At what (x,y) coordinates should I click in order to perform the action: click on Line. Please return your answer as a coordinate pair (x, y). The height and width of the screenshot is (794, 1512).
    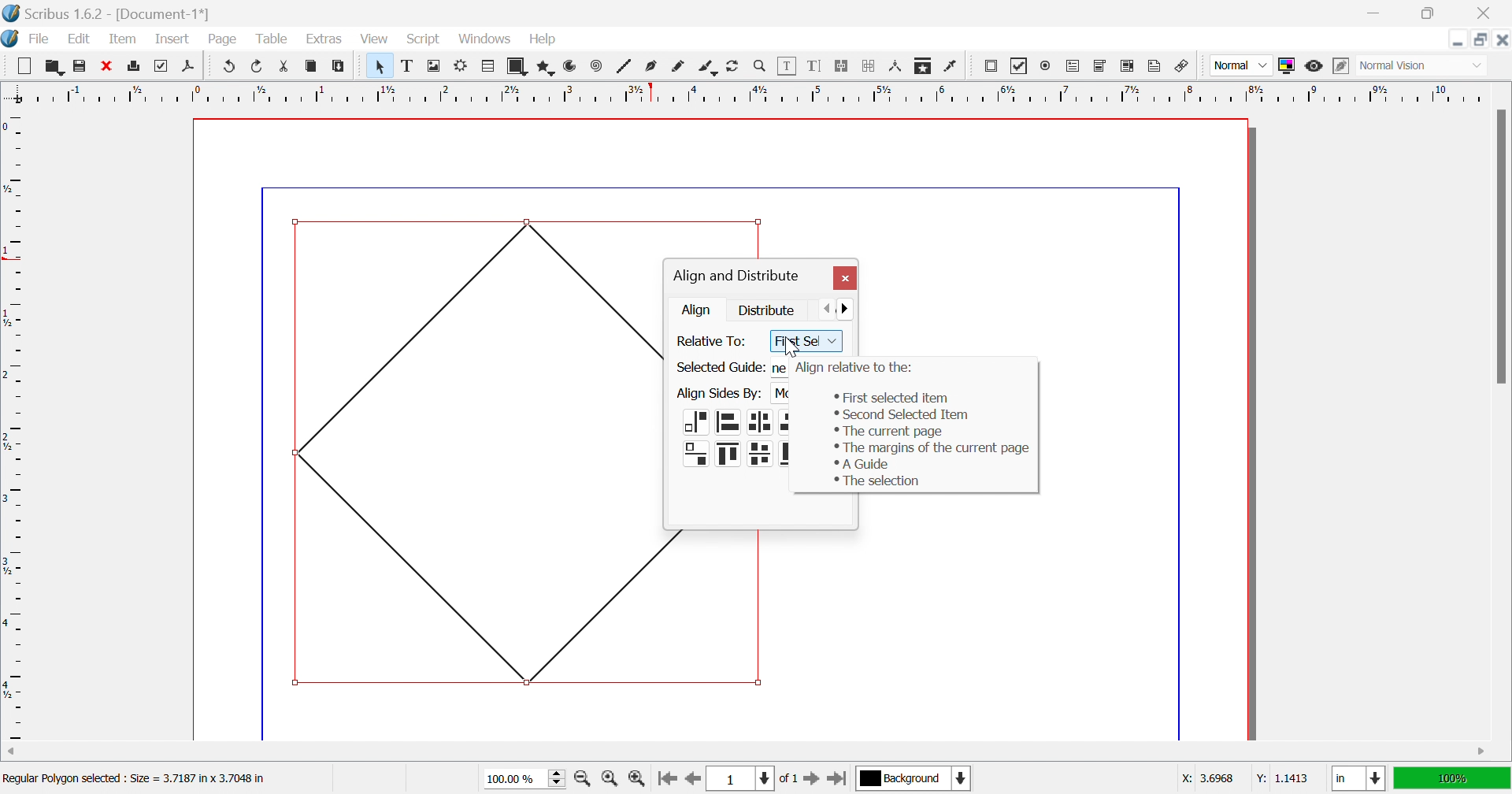
    Looking at the image, I should click on (624, 65).